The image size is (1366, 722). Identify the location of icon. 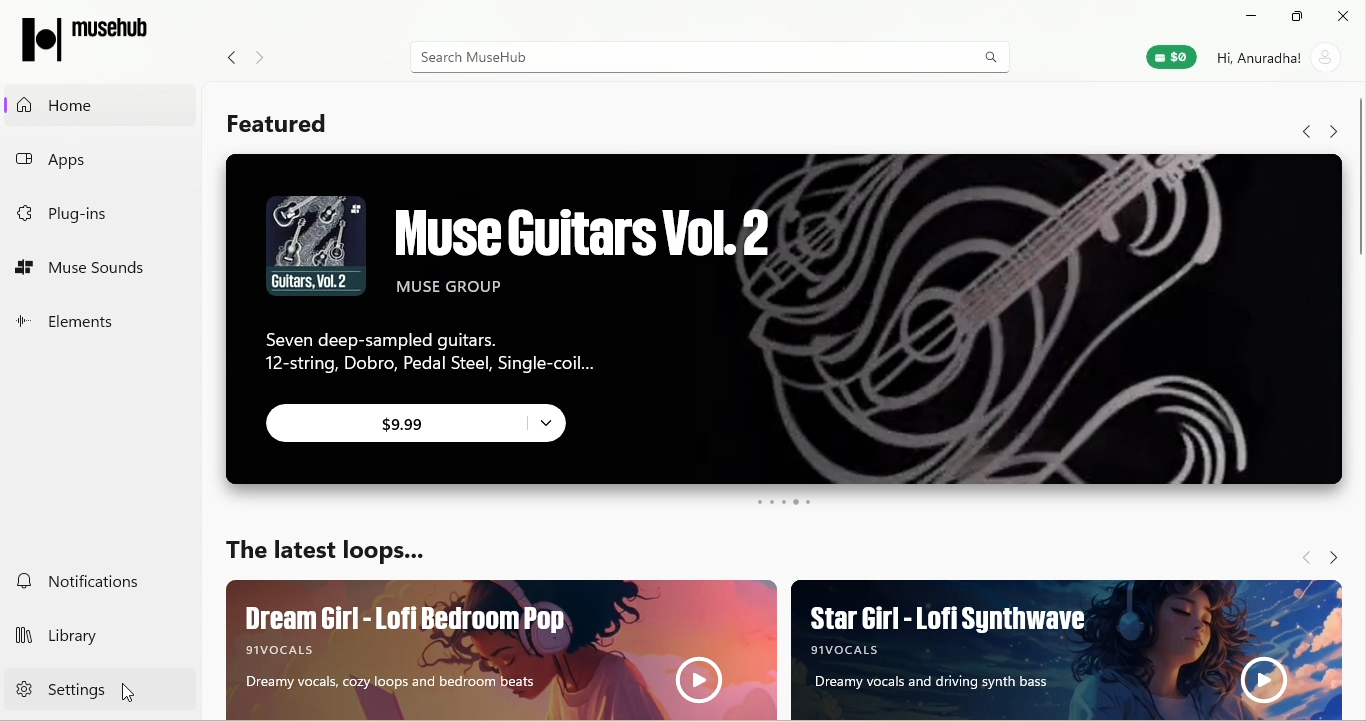
(85, 36).